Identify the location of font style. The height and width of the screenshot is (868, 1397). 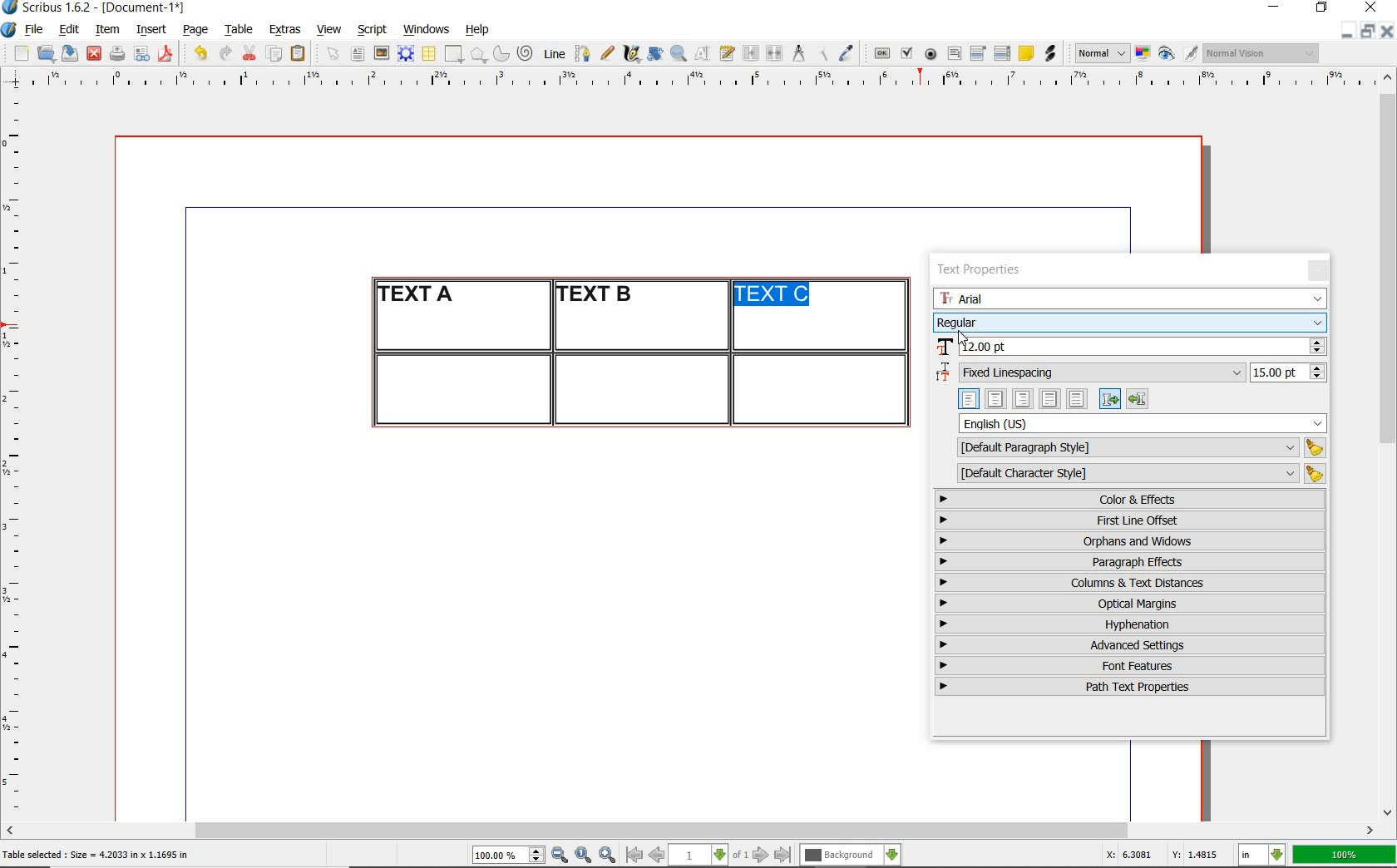
(1130, 322).